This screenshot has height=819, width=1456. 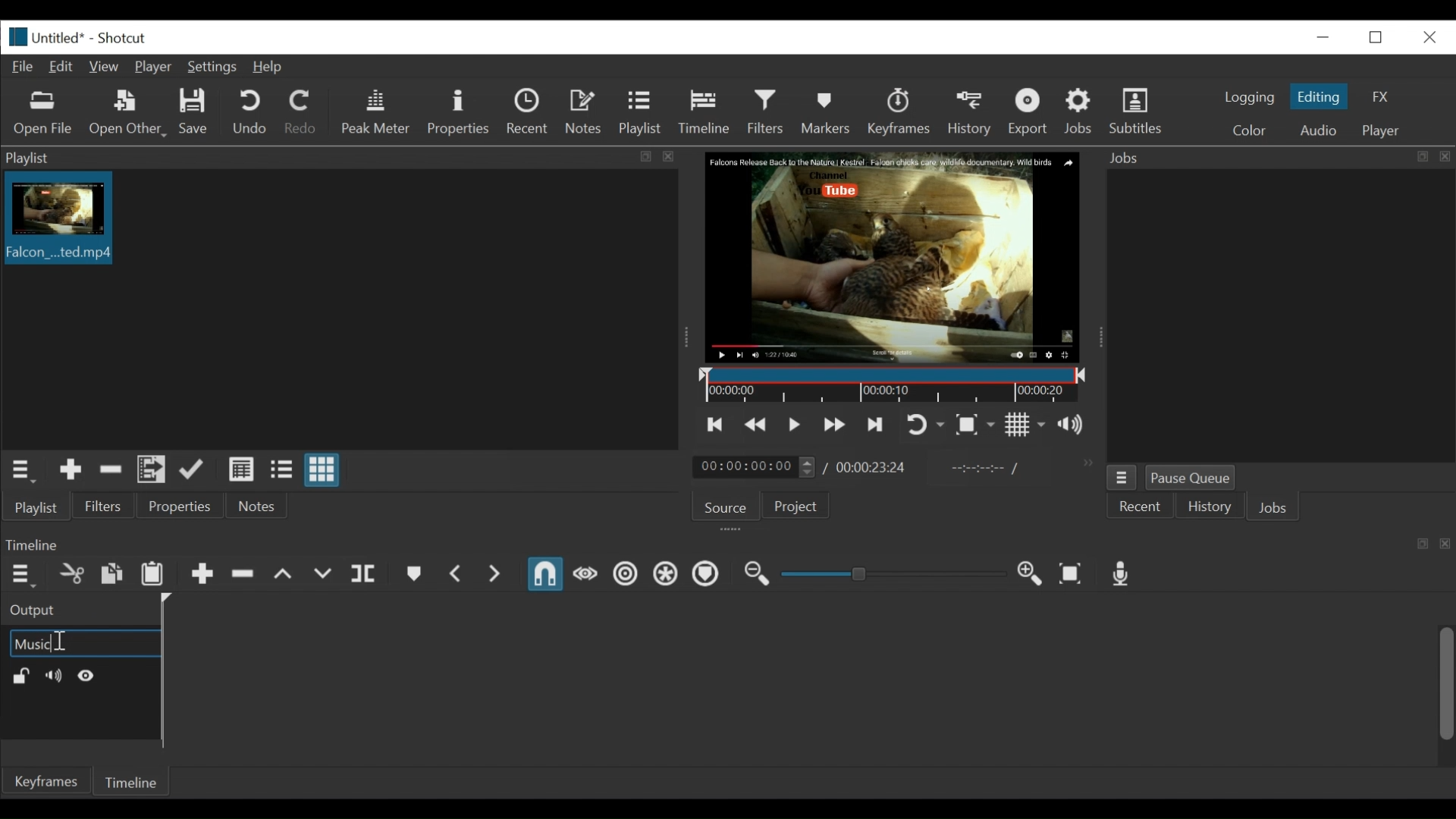 I want to click on Playlist, so click(x=644, y=115).